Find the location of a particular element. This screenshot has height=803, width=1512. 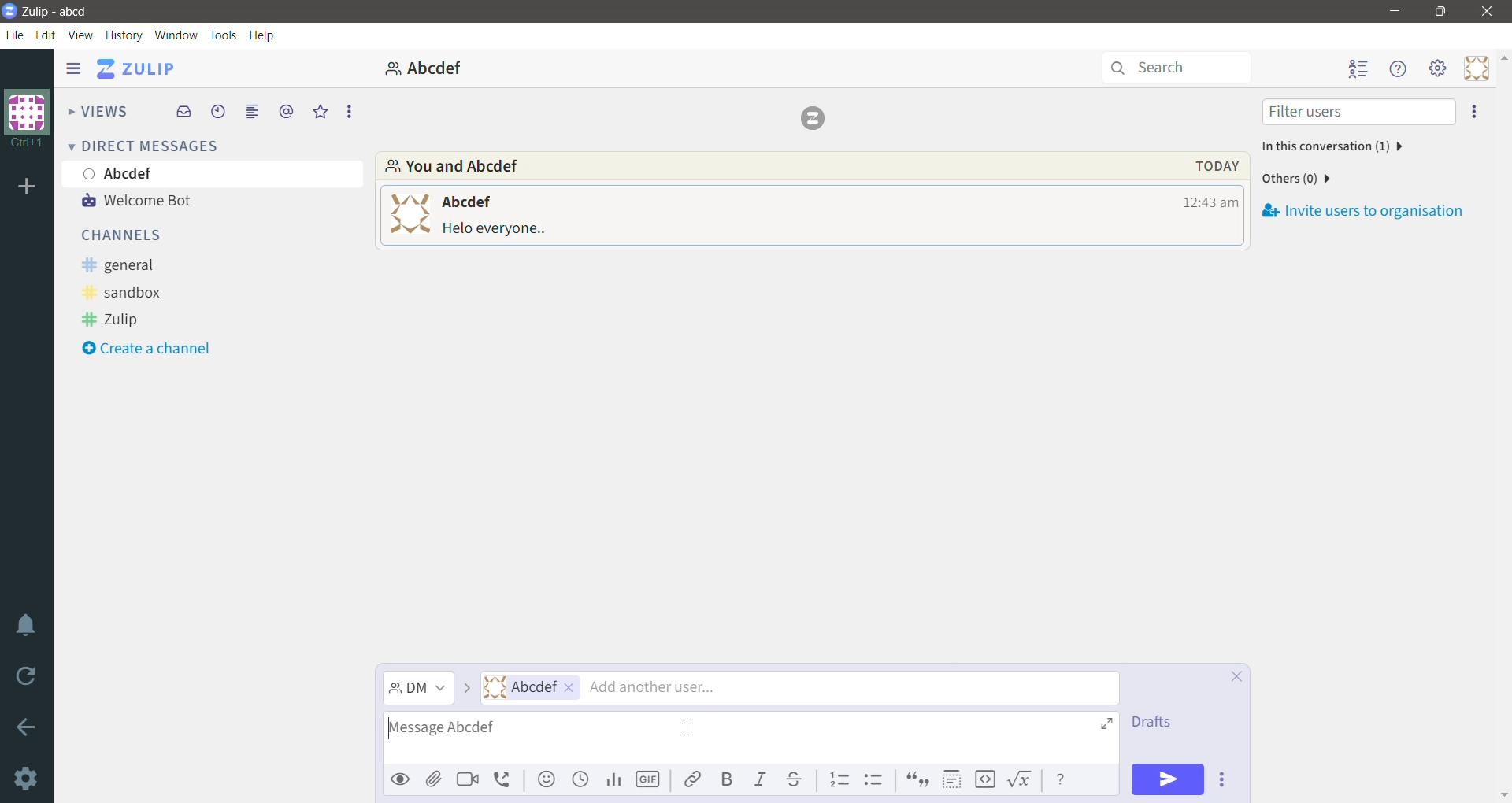

Minimize is located at coordinates (1396, 11).